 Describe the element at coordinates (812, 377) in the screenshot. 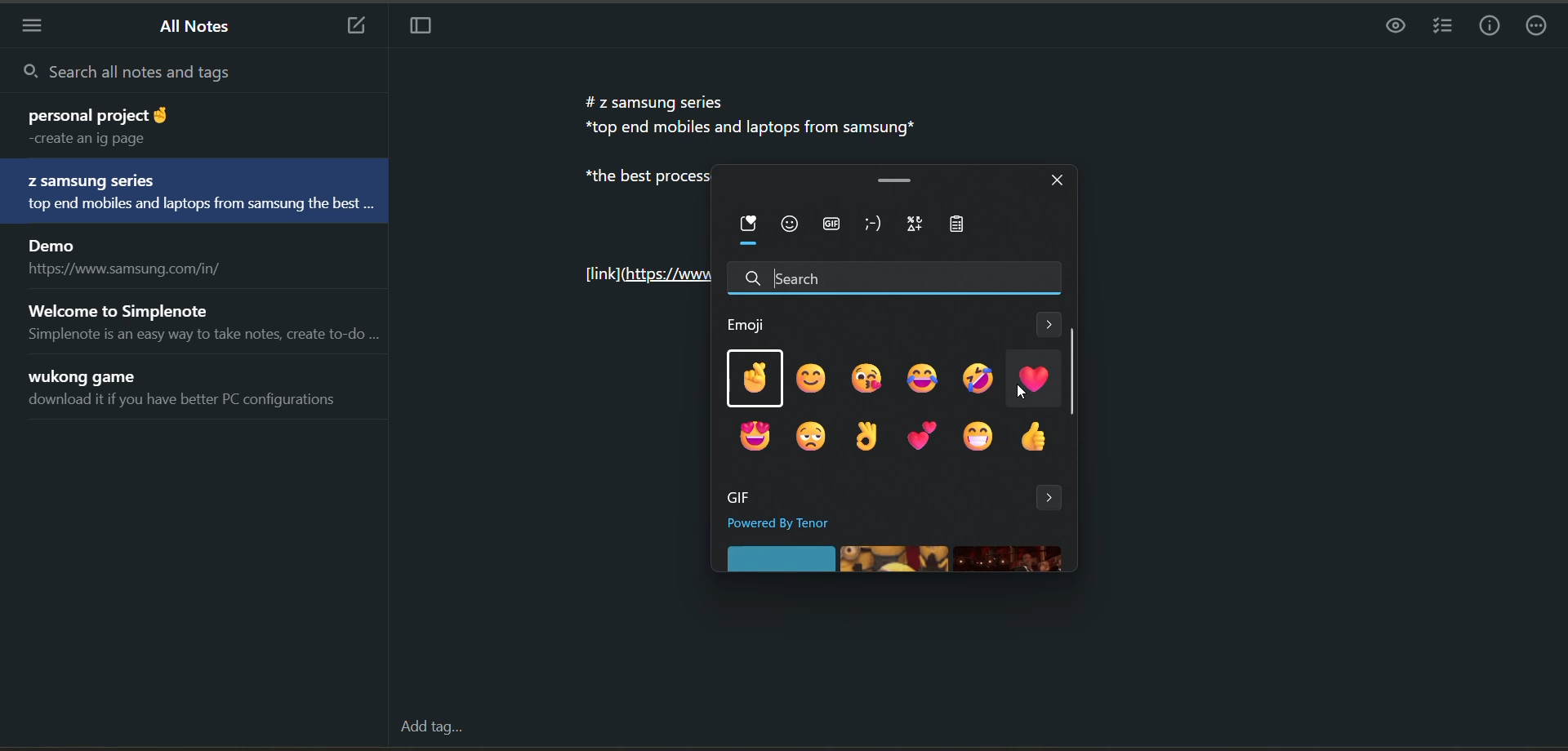

I see `emoji 2` at that location.